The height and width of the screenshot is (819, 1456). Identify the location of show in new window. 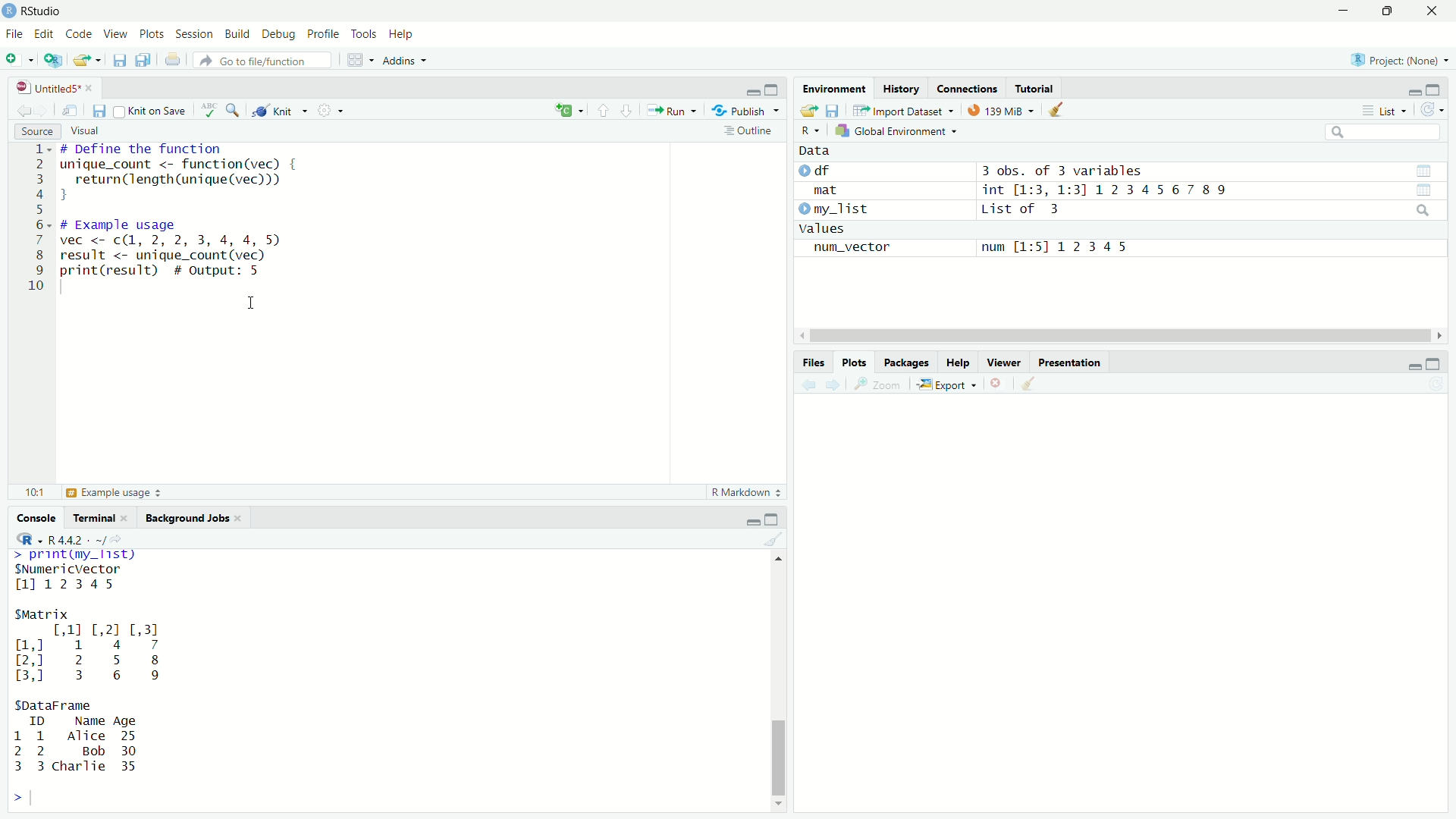
(70, 111).